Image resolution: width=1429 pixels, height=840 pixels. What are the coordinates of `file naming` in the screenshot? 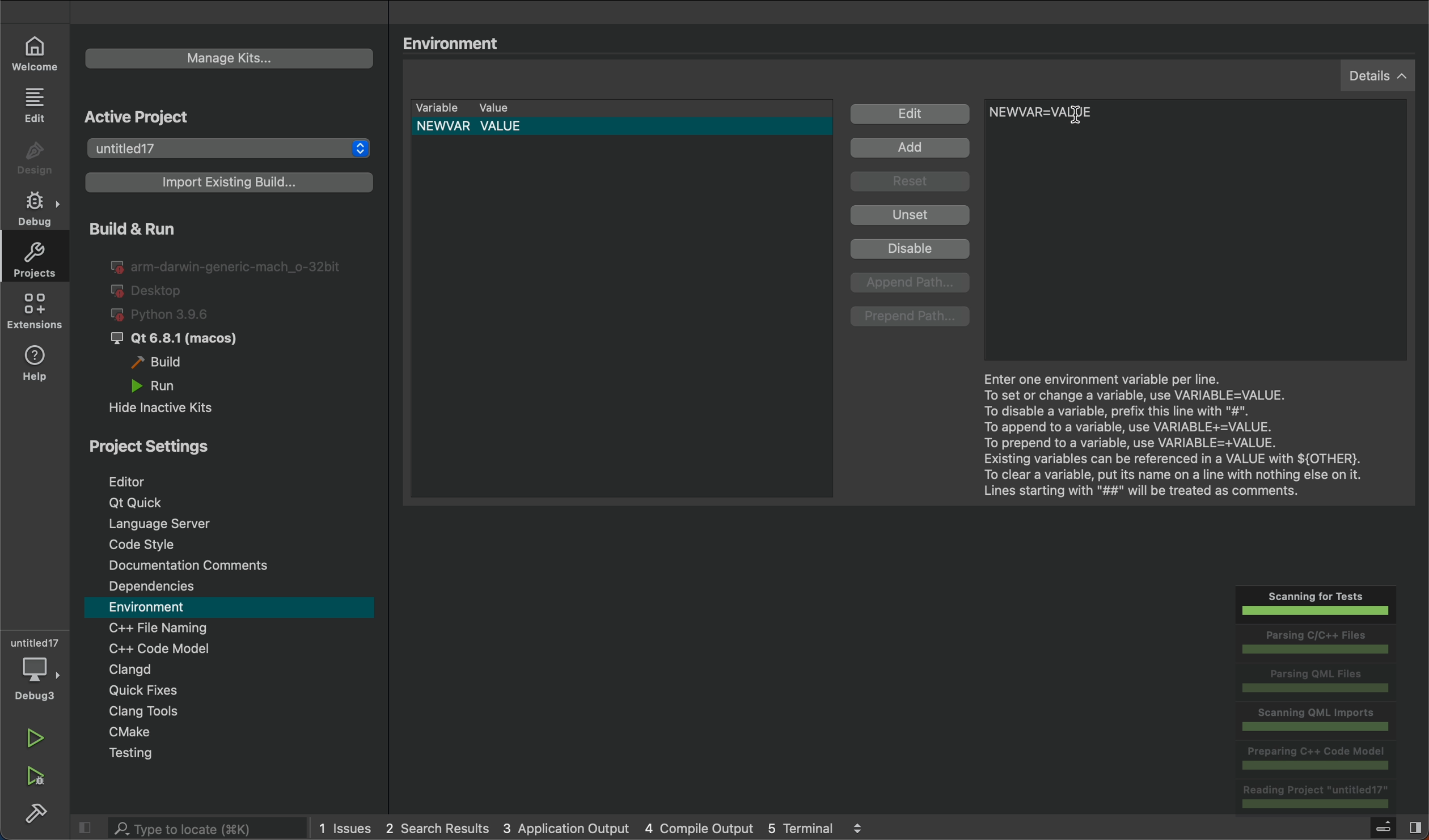 It's located at (232, 628).